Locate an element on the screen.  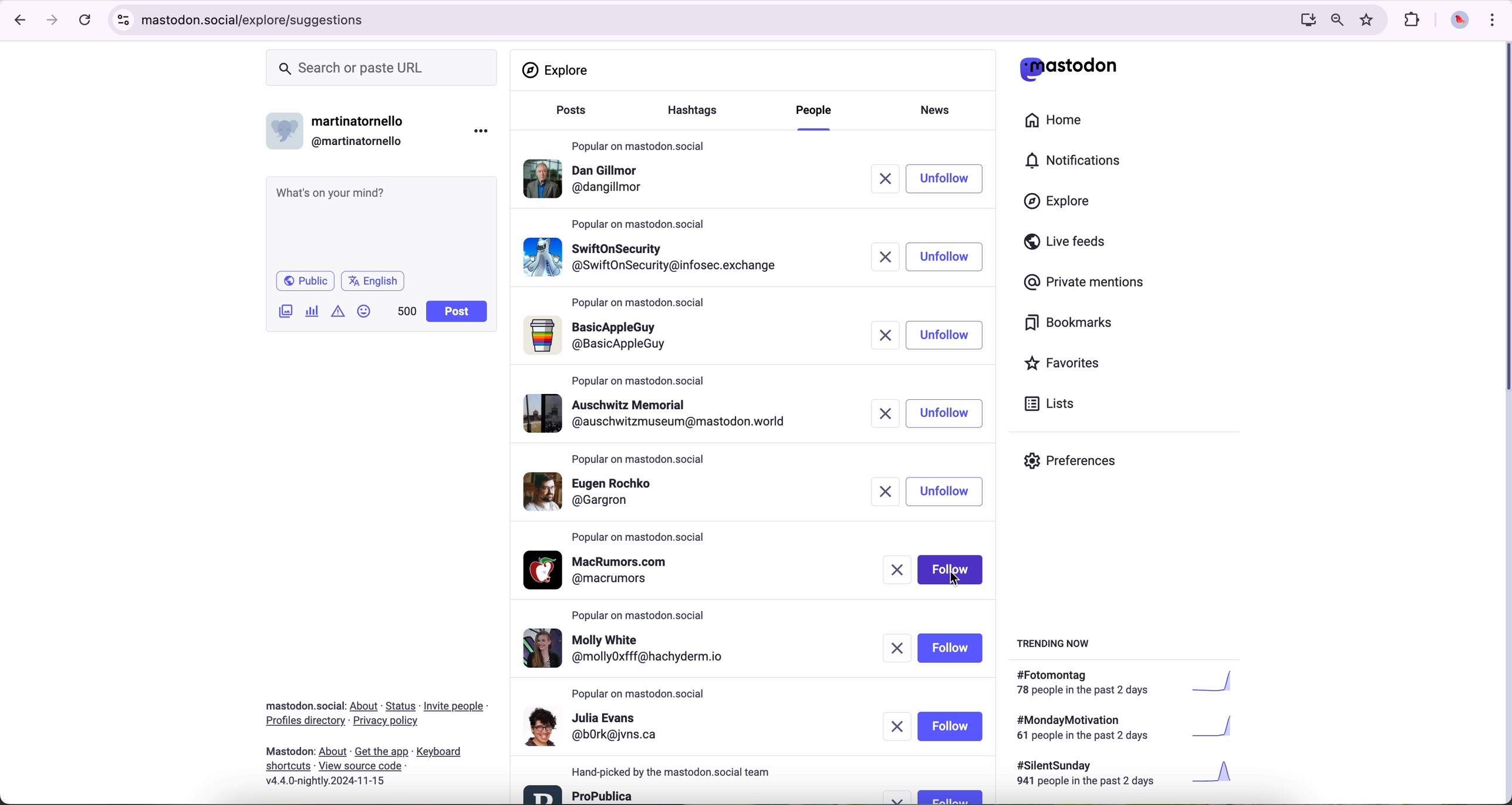
live feeds is located at coordinates (1069, 244).